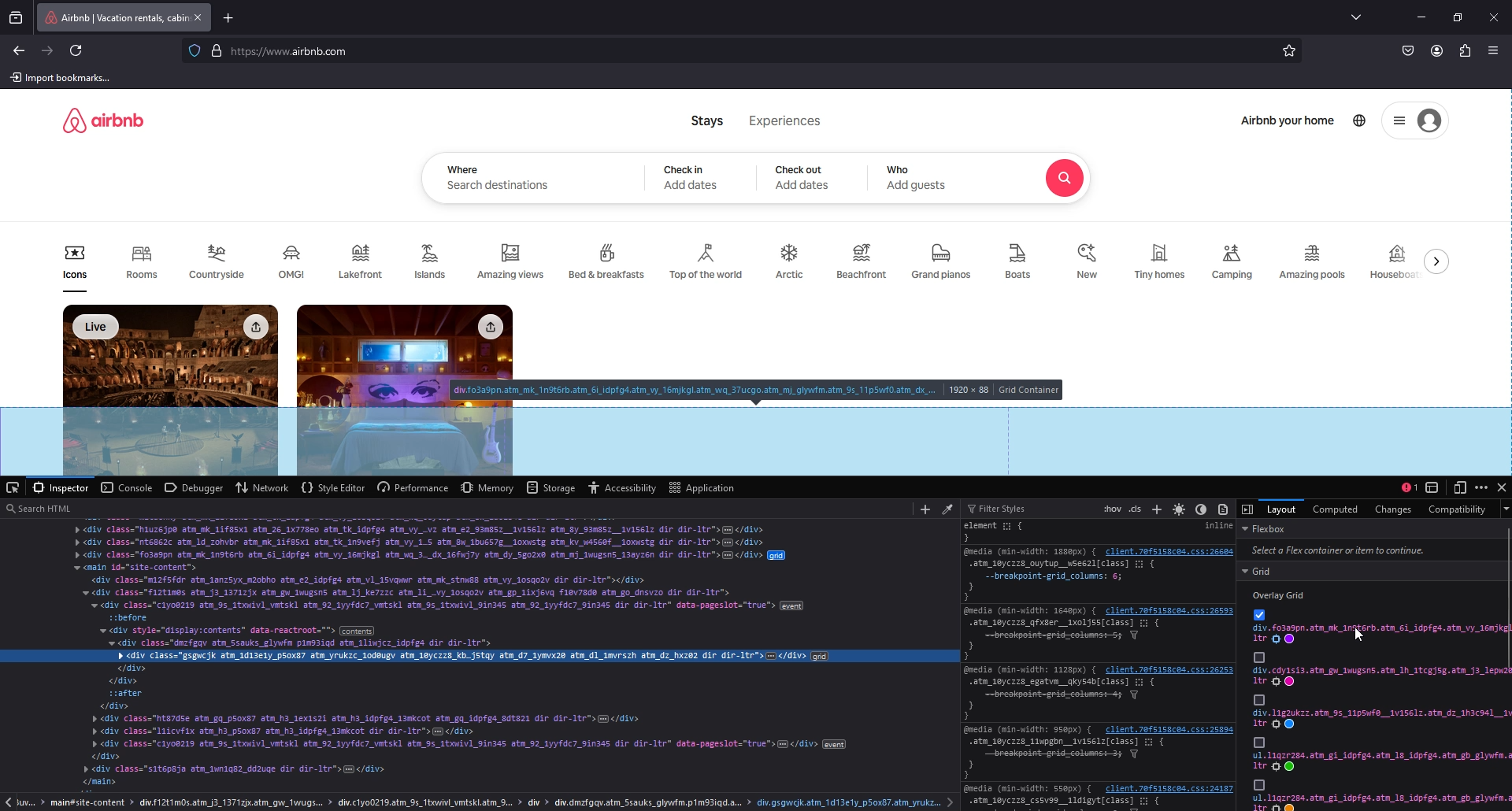 The width and height of the screenshot is (1512, 811). I want to click on link, so click(1169, 730).